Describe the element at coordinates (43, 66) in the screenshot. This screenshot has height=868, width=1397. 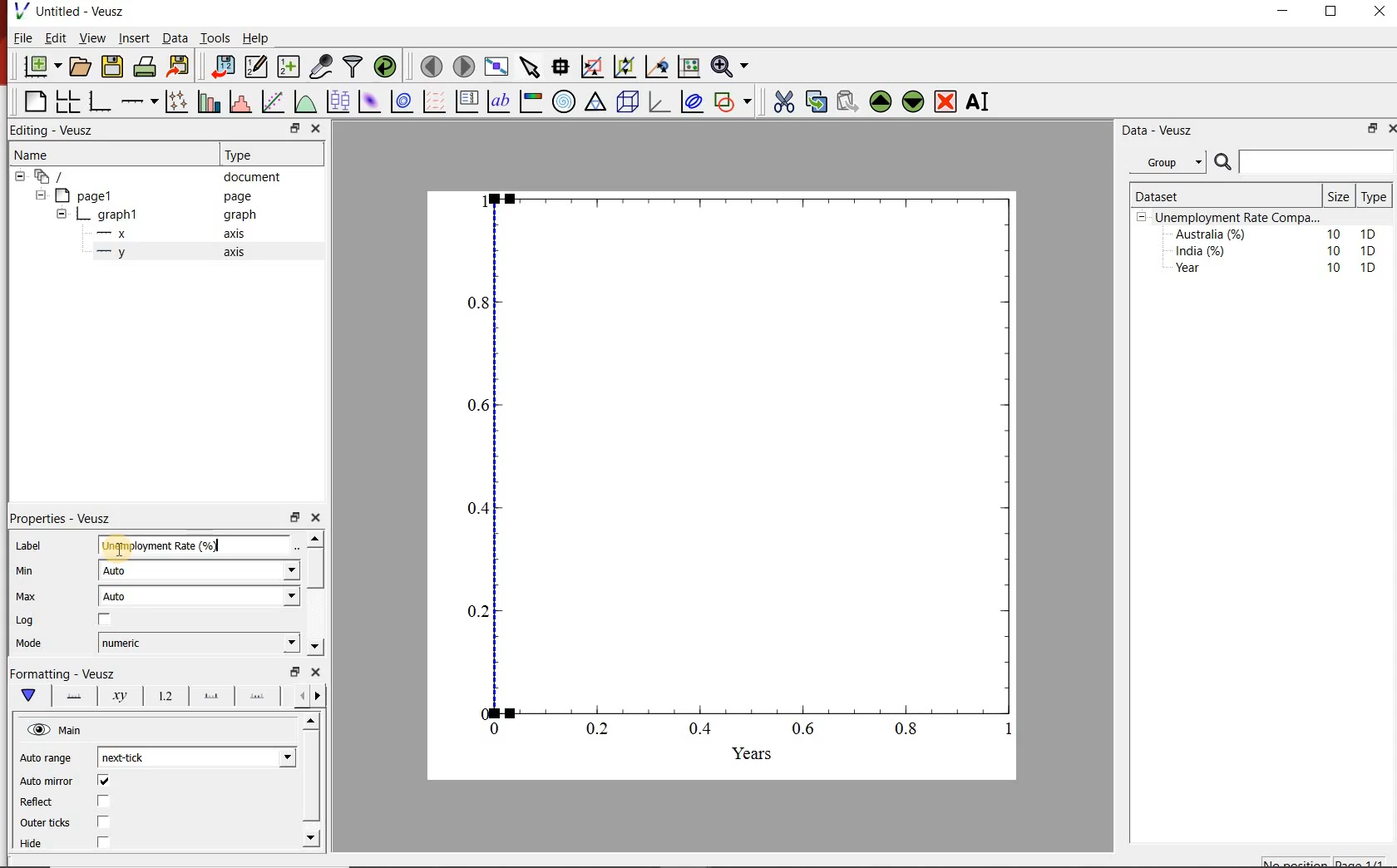
I see `new document` at that location.